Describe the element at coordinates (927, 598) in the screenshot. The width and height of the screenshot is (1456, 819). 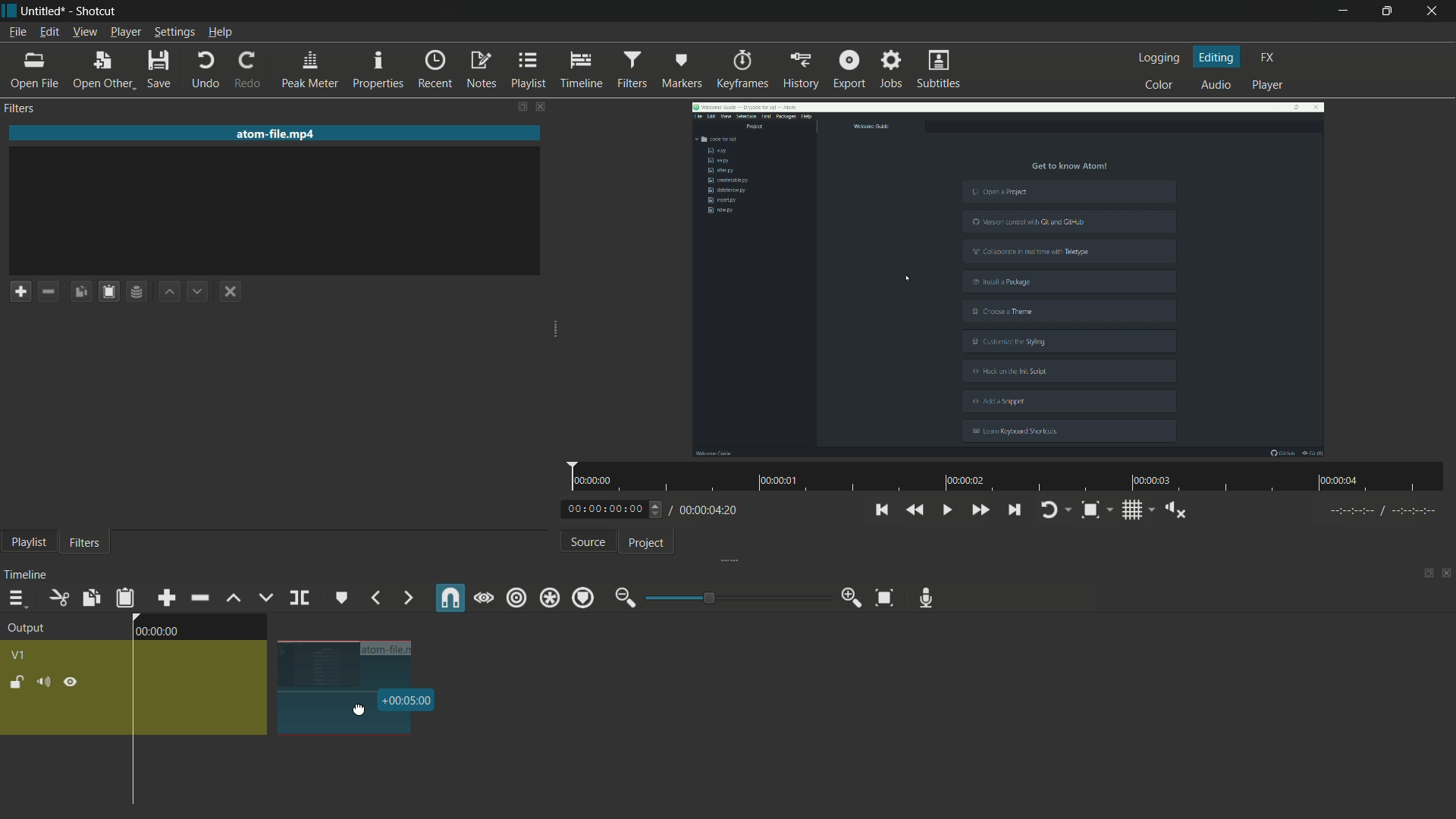
I see `record audio` at that location.